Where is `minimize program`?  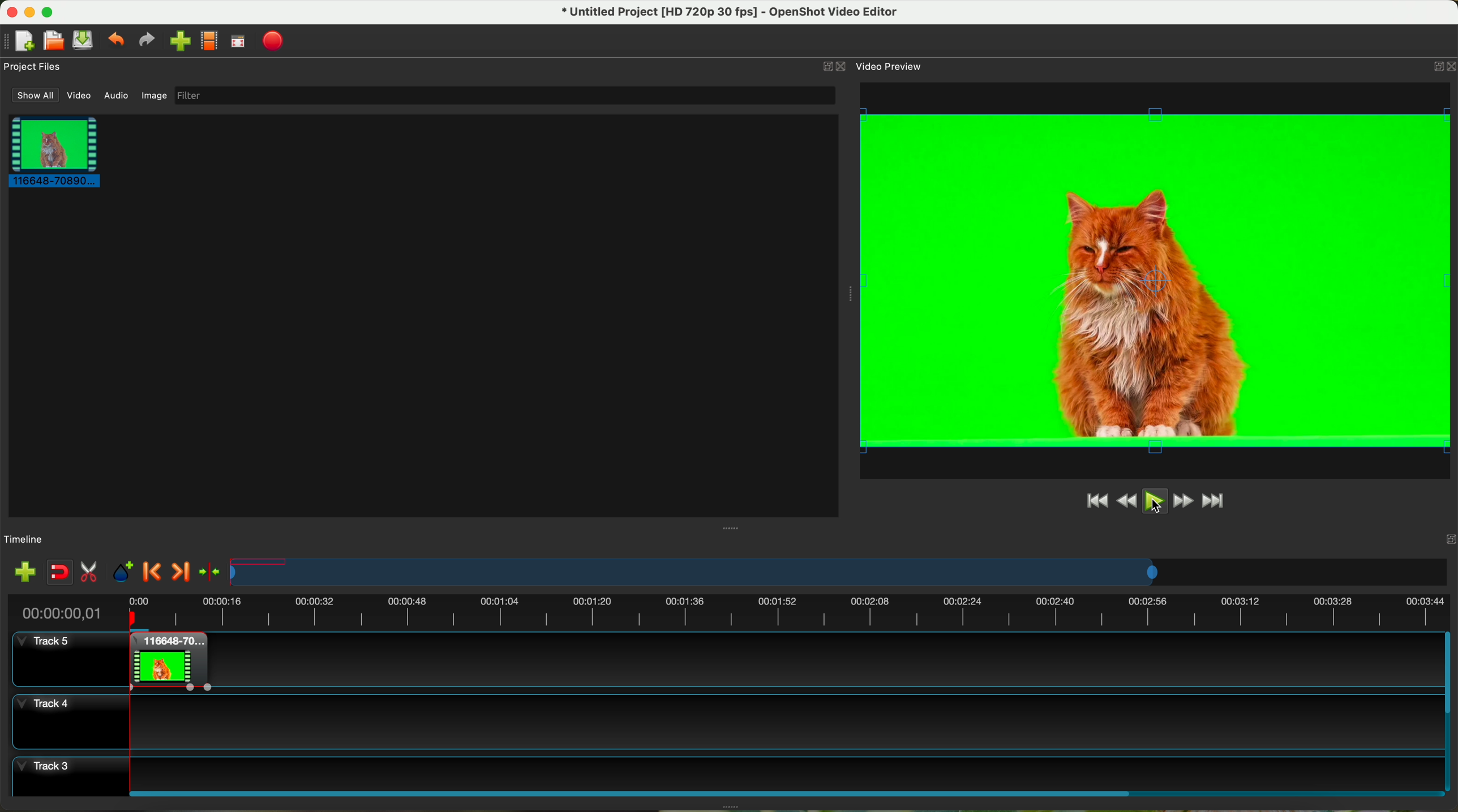 minimize program is located at coordinates (31, 12).